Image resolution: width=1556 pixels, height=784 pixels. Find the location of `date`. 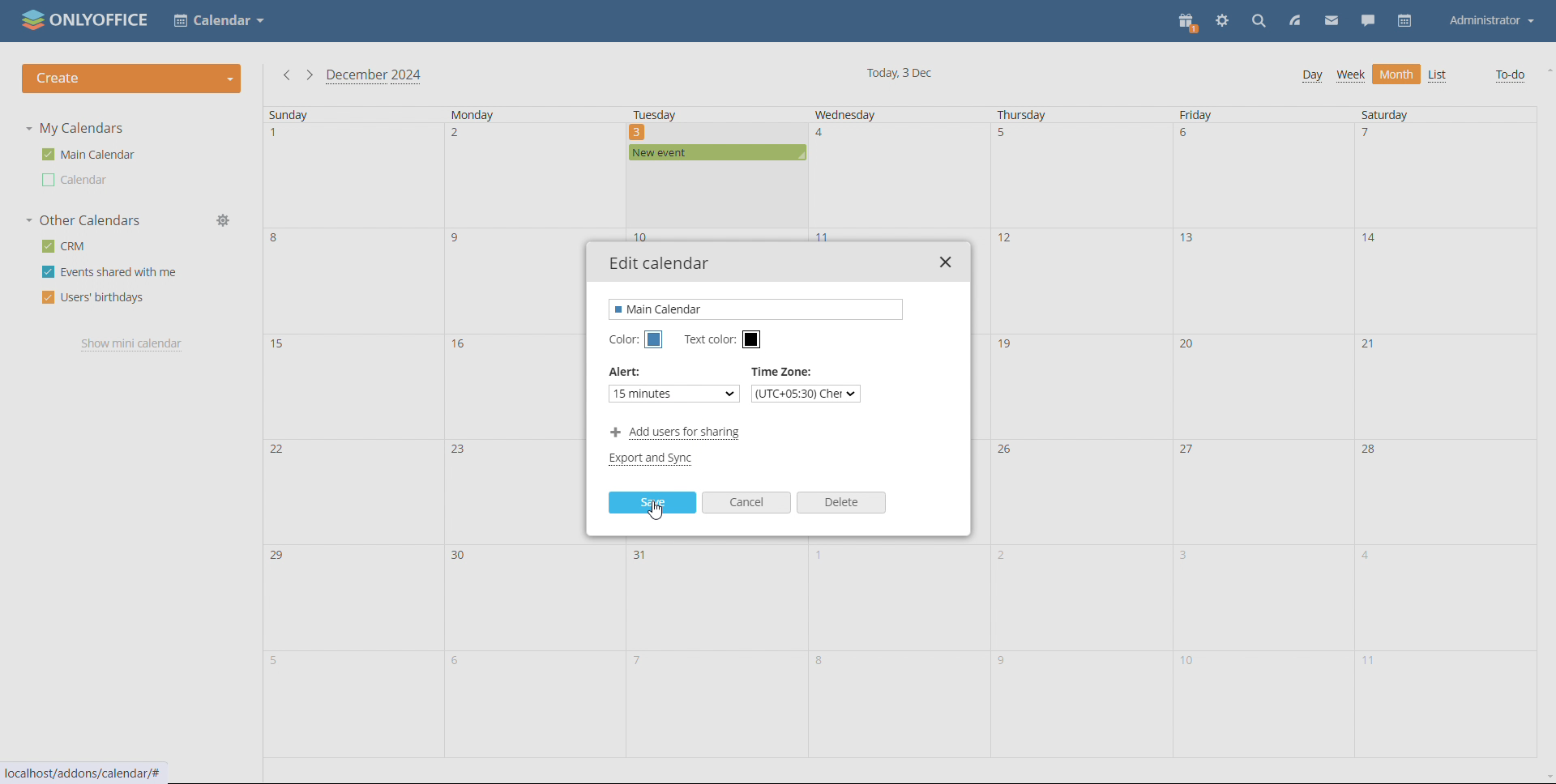

date is located at coordinates (353, 176).